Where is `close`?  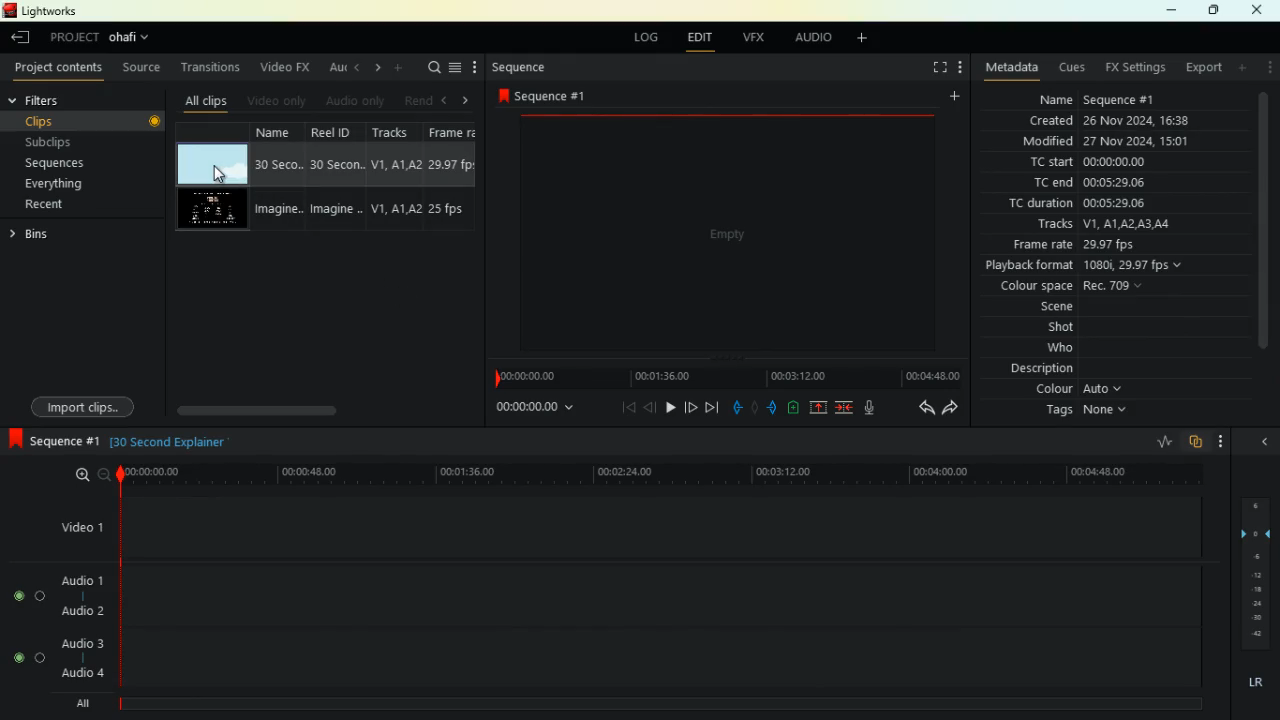 close is located at coordinates (1259, 10).